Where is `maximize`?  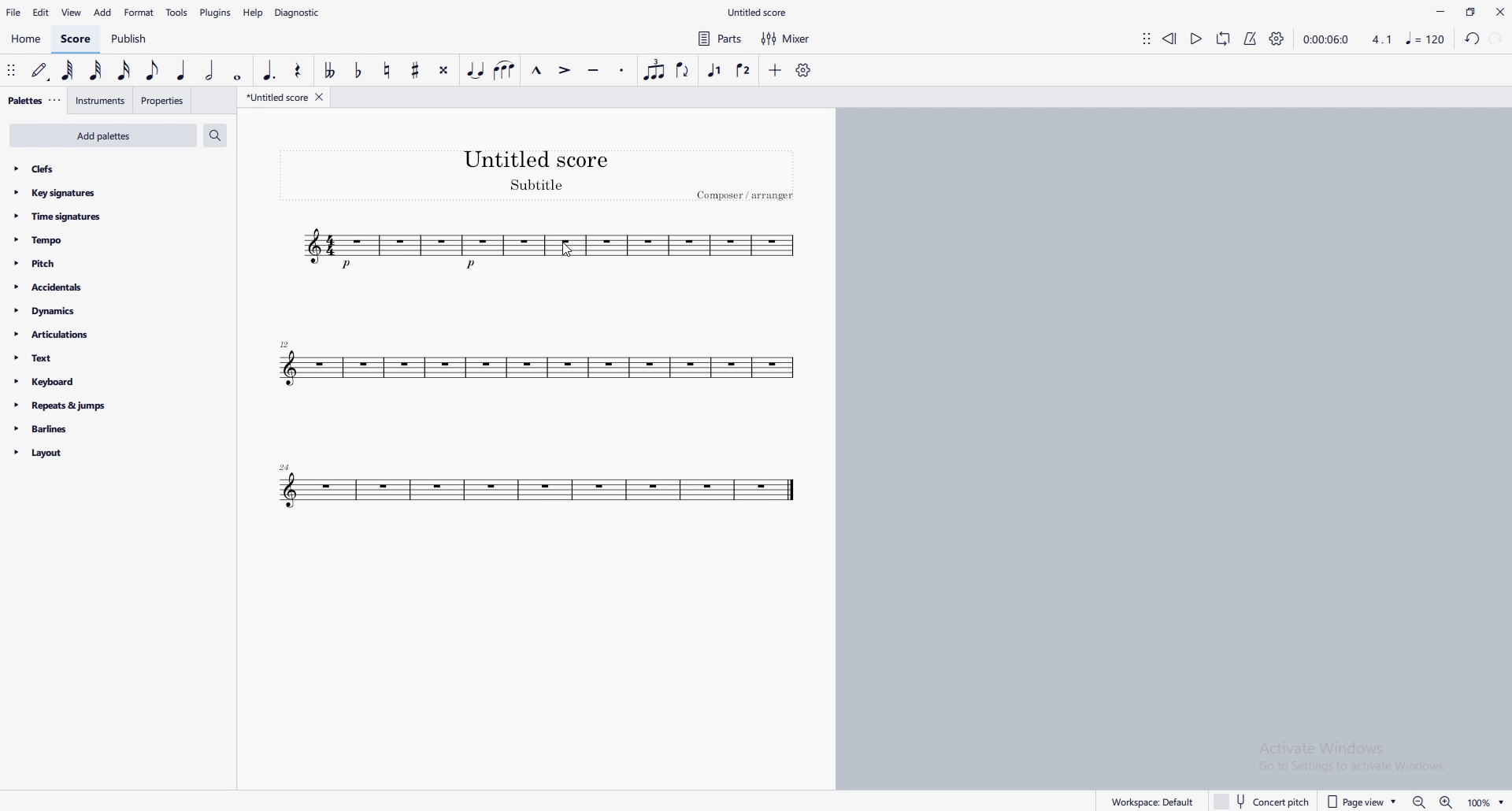
maximize is located at coordinates (1471, 11).